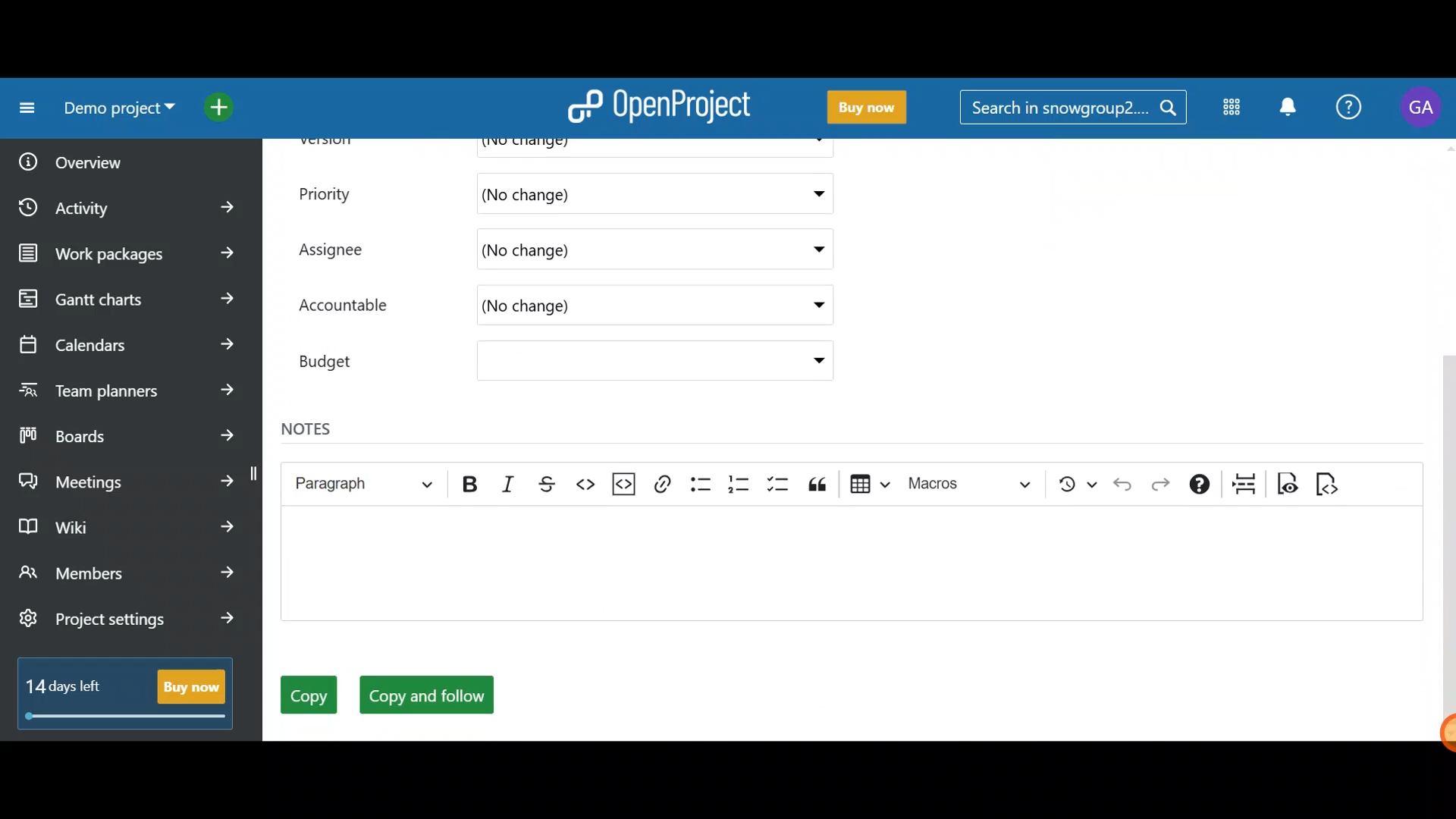 The image size is (1456, 819). What do you see at coordinates (1436, 739) in the screenshot?
I see `Cursor` at bounding box center [1436, 739].